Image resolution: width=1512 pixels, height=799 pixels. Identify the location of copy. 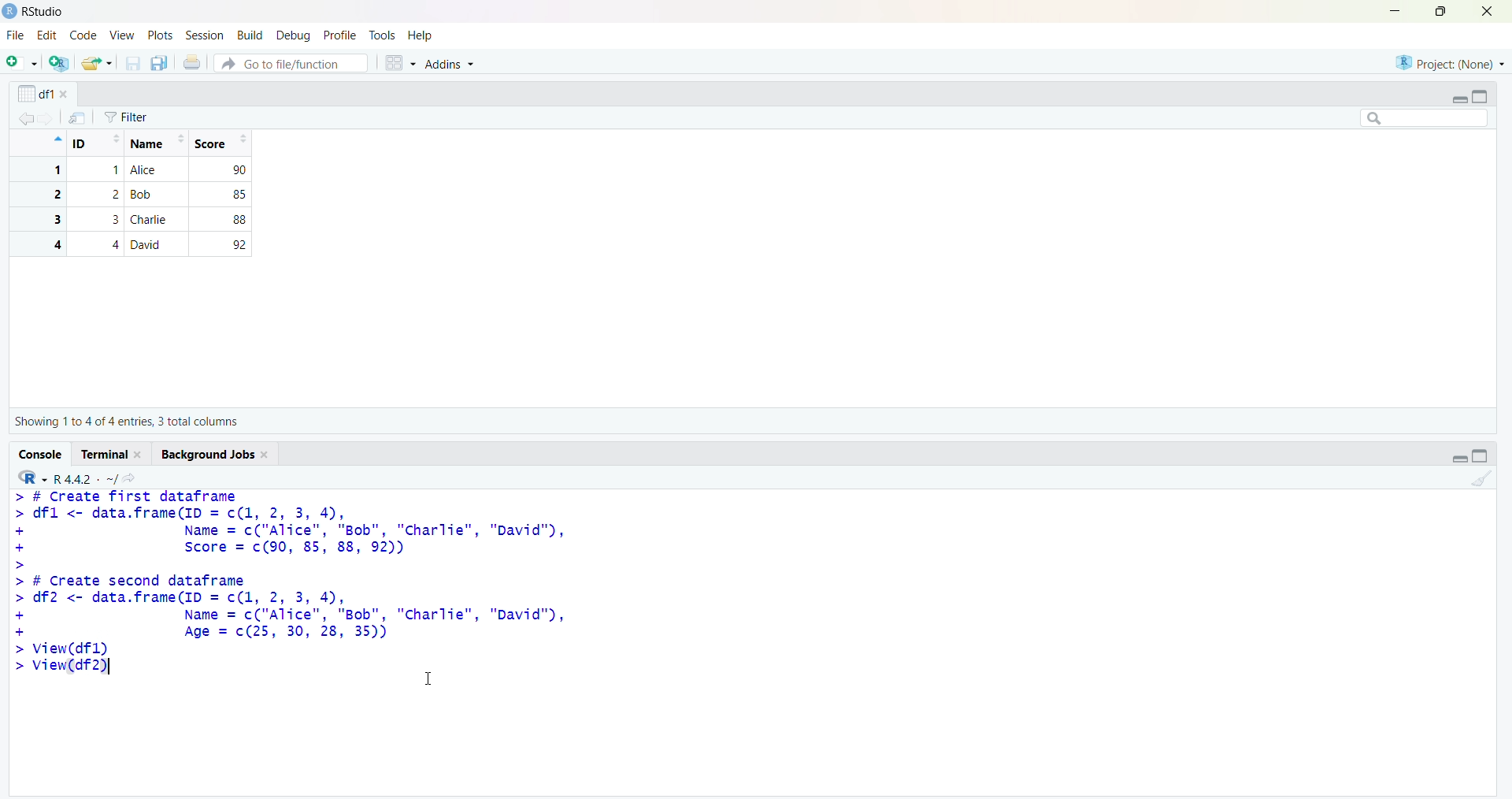
(159, 63).